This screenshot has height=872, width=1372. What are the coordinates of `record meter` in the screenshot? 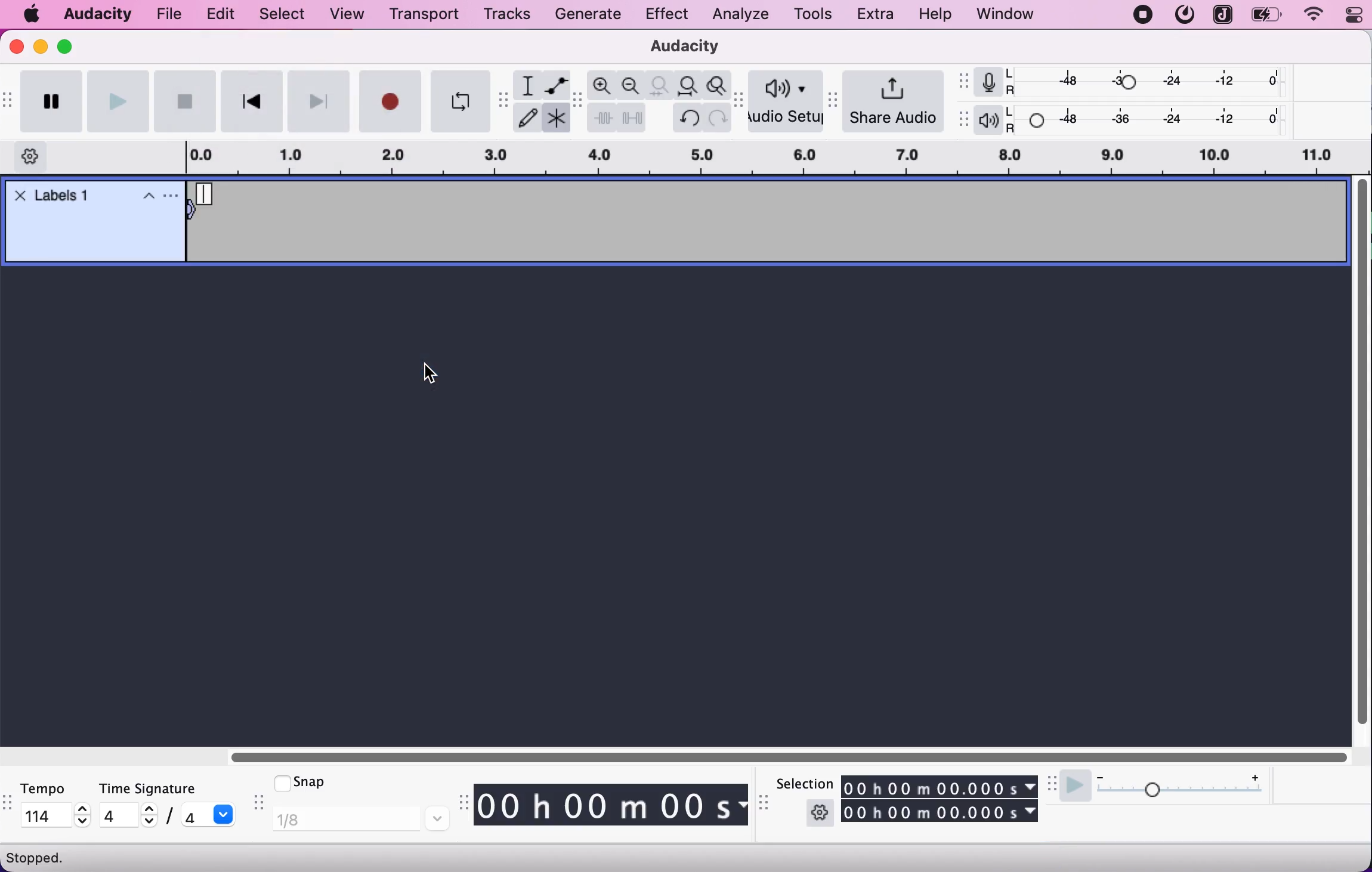 It's located at (986, 82).